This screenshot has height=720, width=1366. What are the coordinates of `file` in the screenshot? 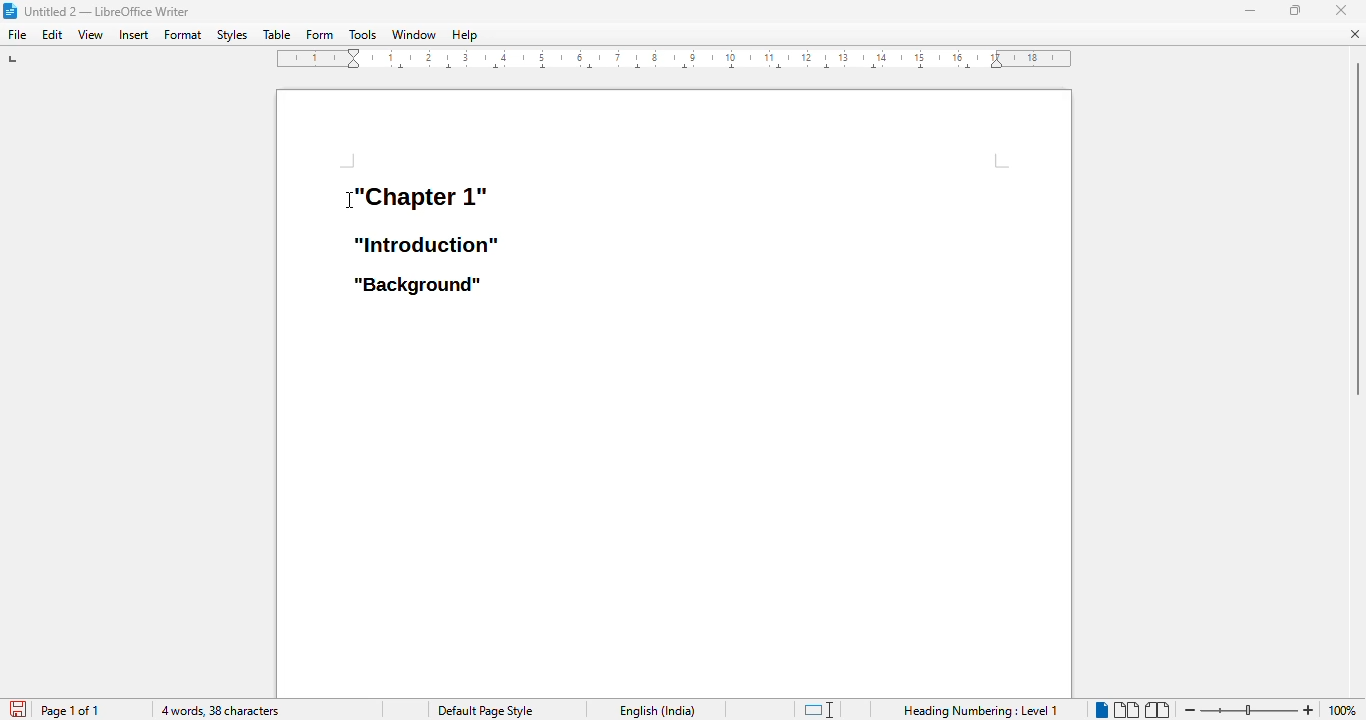 It's located at (17, 34).